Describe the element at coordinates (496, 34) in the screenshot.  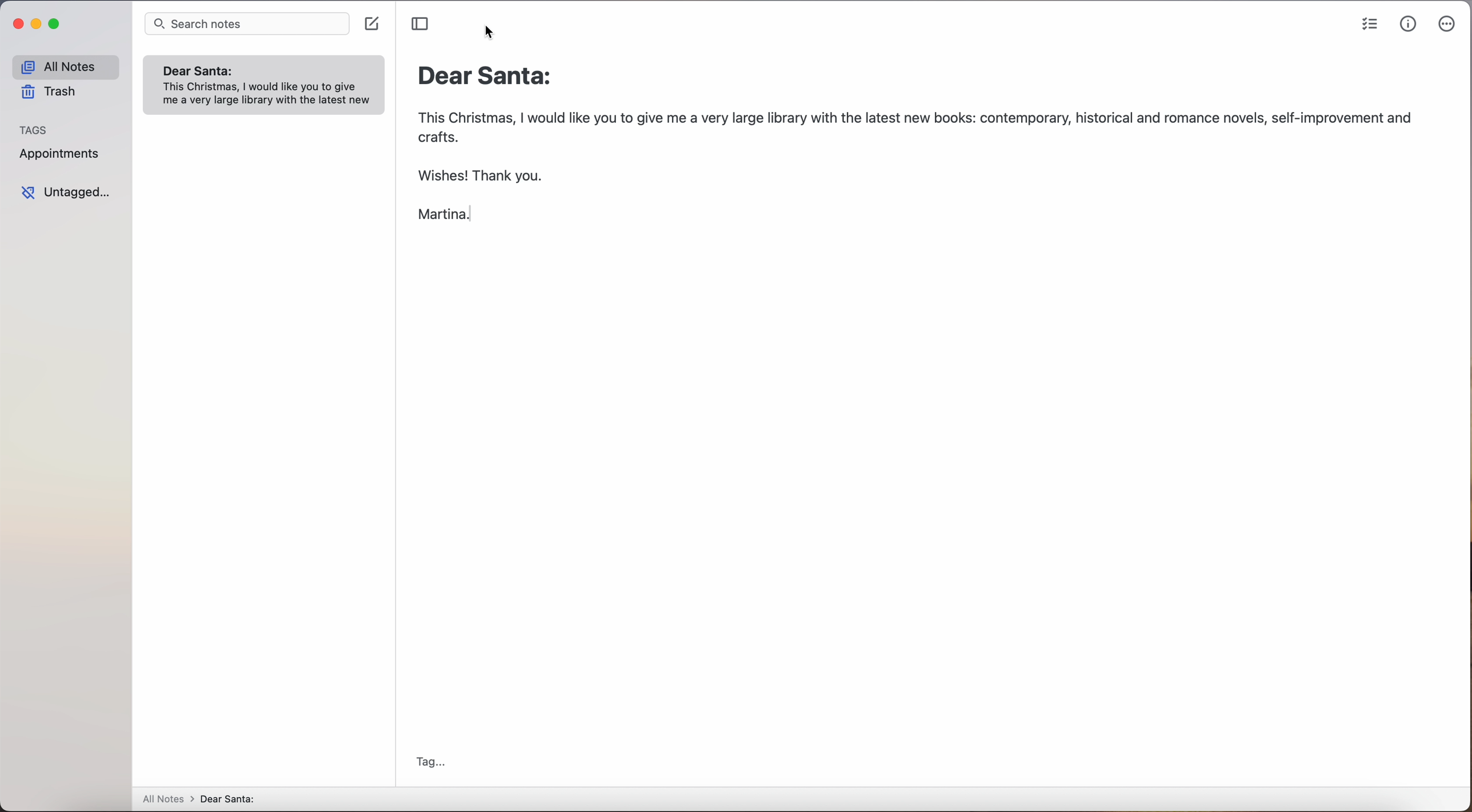
I see `cursor` at that location.